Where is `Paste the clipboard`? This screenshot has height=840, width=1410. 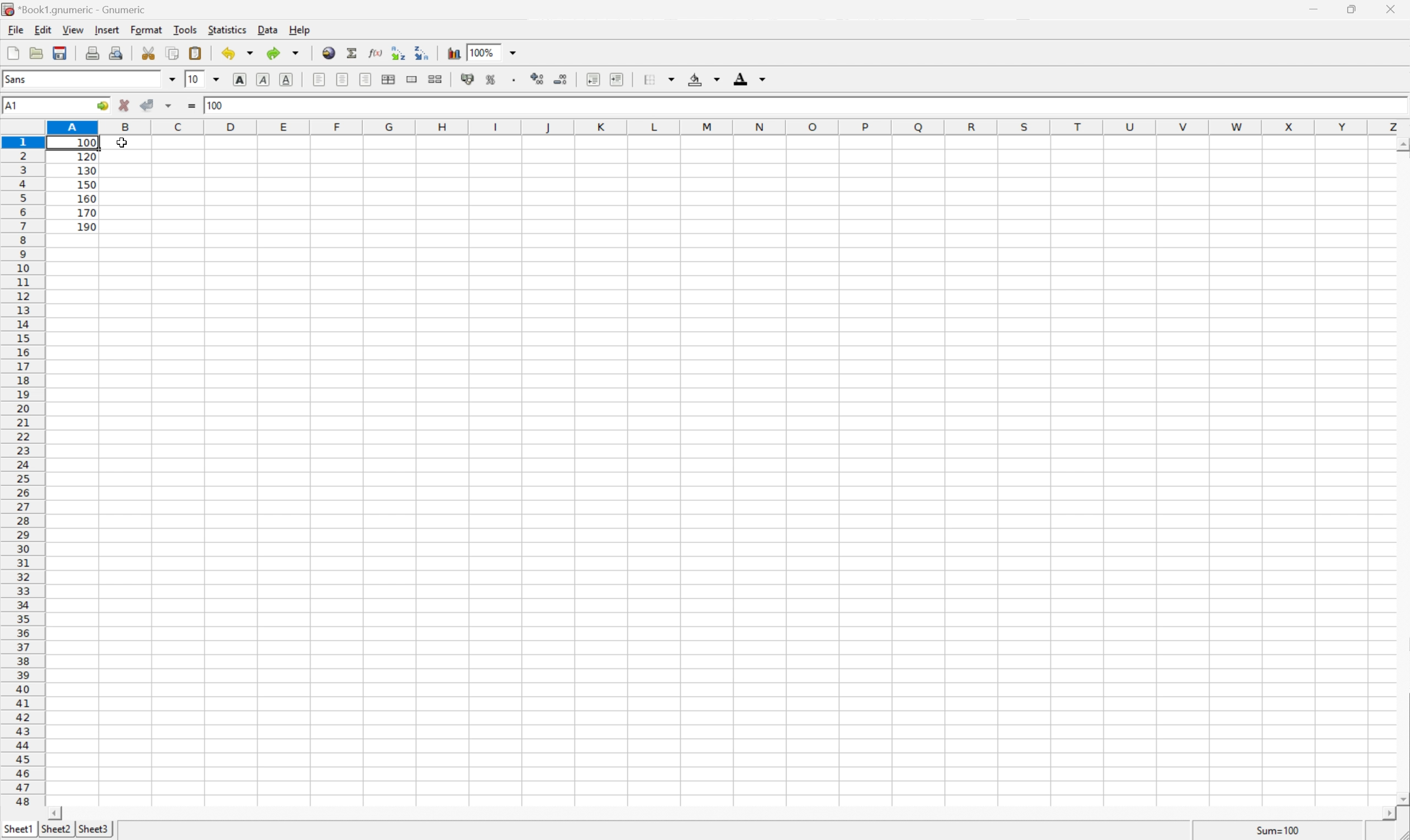
Paste the clipboard is located at coordinates (198, 52).